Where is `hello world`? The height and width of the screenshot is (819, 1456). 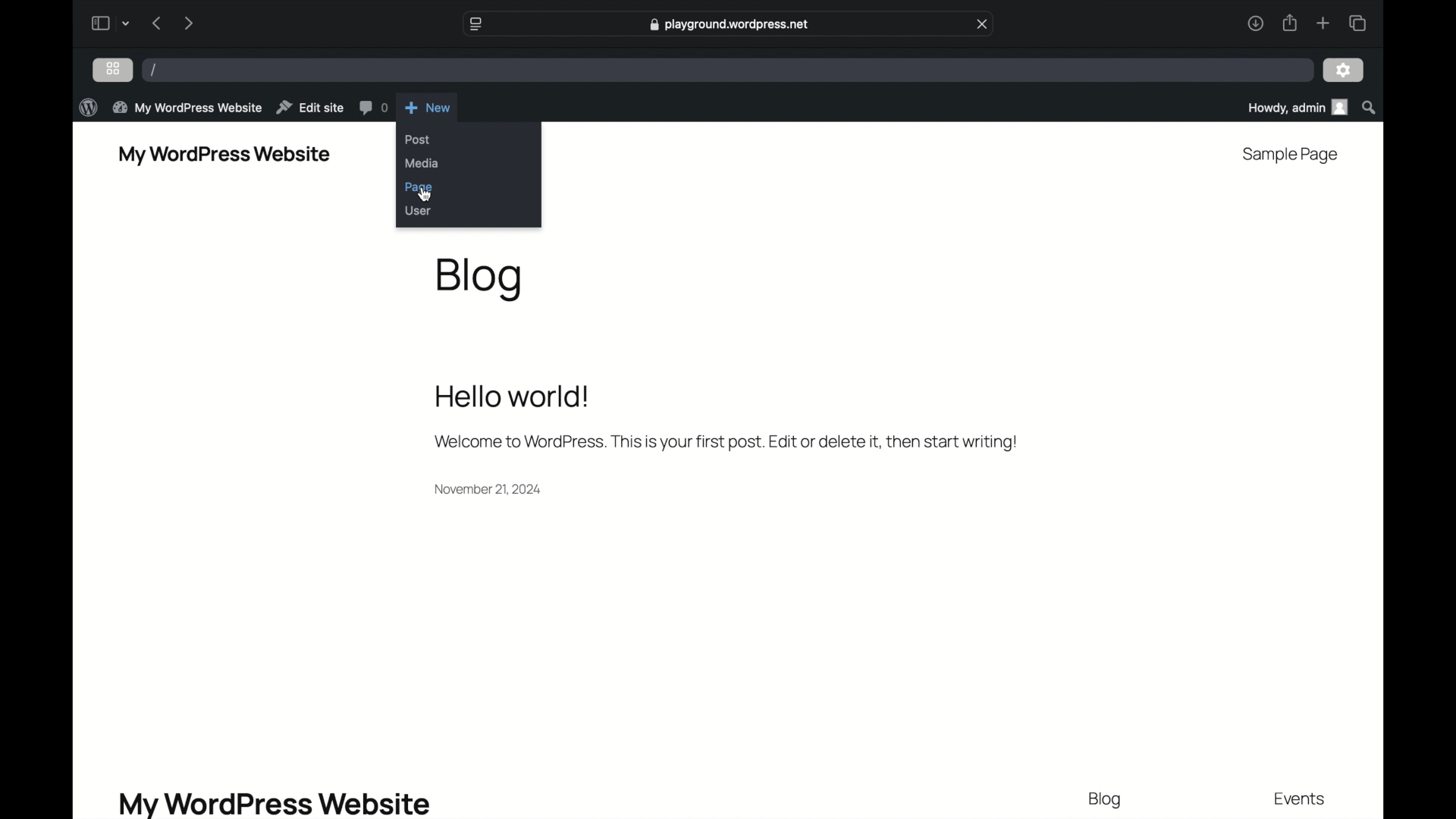
hello world is located at coordinates (513, 397).